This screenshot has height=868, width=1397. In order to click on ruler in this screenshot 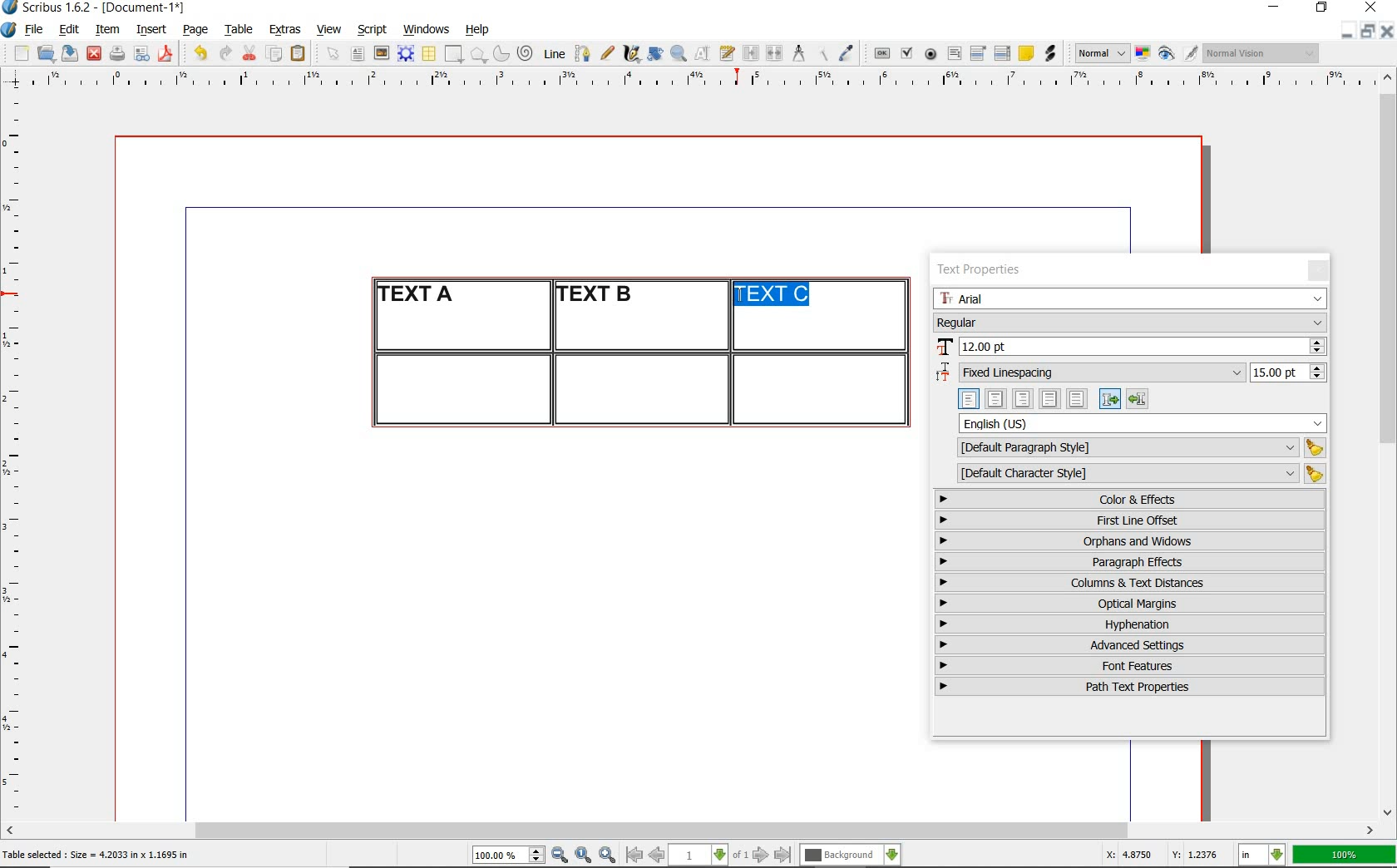, I will do `click(18, 454)`.